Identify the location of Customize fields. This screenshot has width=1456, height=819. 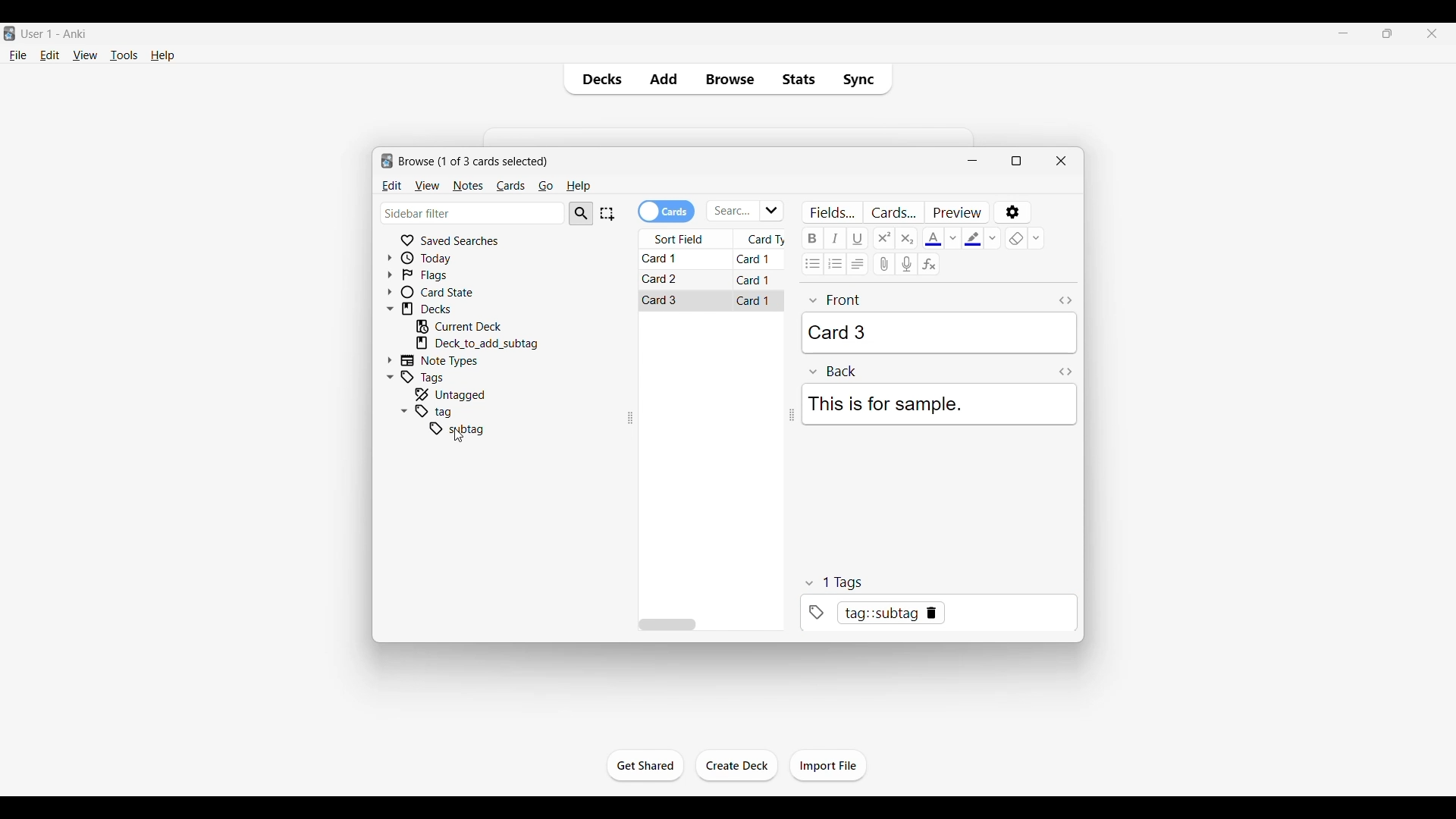
(833, 212).